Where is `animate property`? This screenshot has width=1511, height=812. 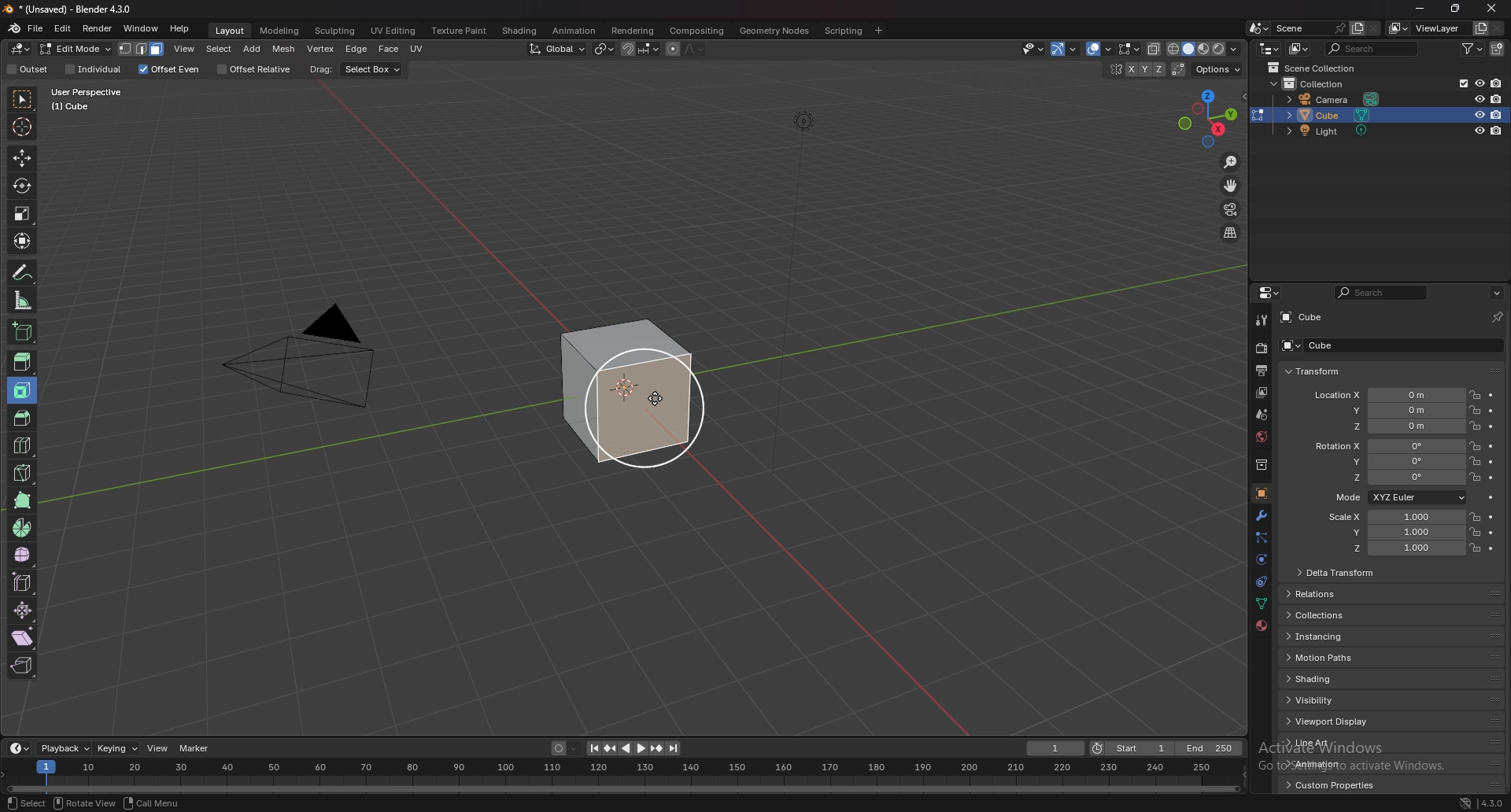
animate property is located at coordinates (1491, 396).